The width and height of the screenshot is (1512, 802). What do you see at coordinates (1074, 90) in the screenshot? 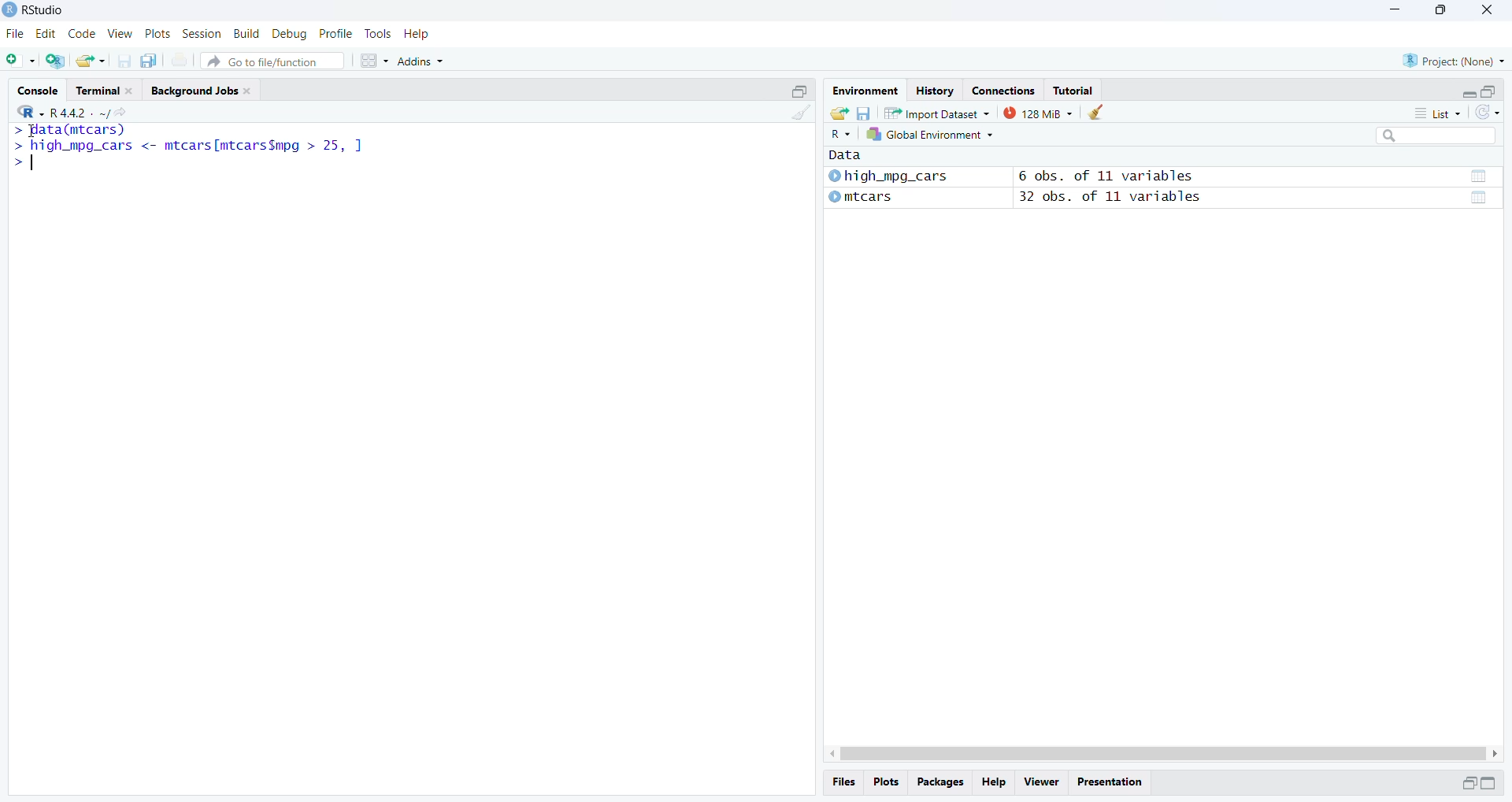
I see `Tutorial` at bounding box center [1074, 90].